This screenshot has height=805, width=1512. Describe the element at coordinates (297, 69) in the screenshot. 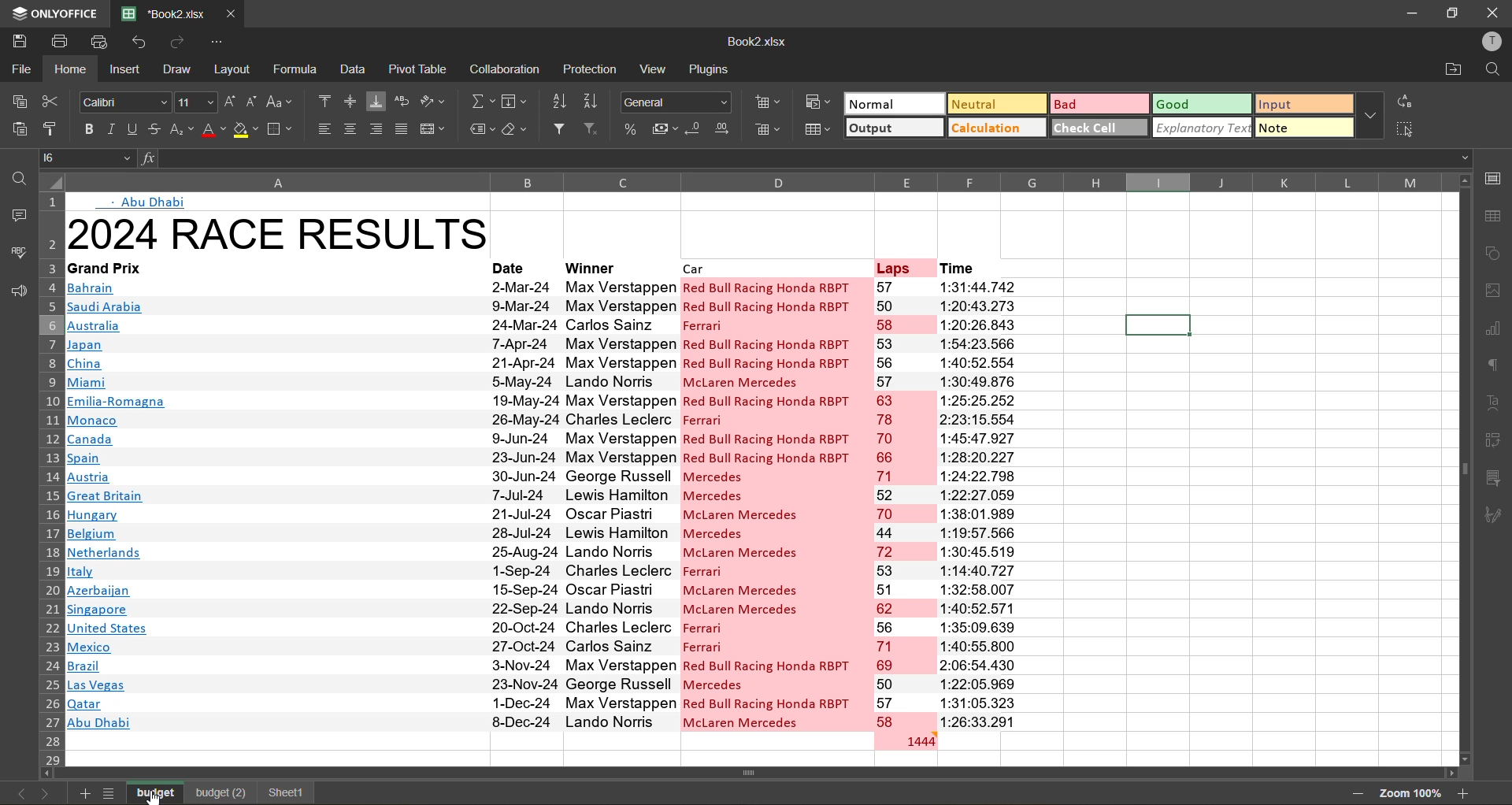

I see `formula` at that location.